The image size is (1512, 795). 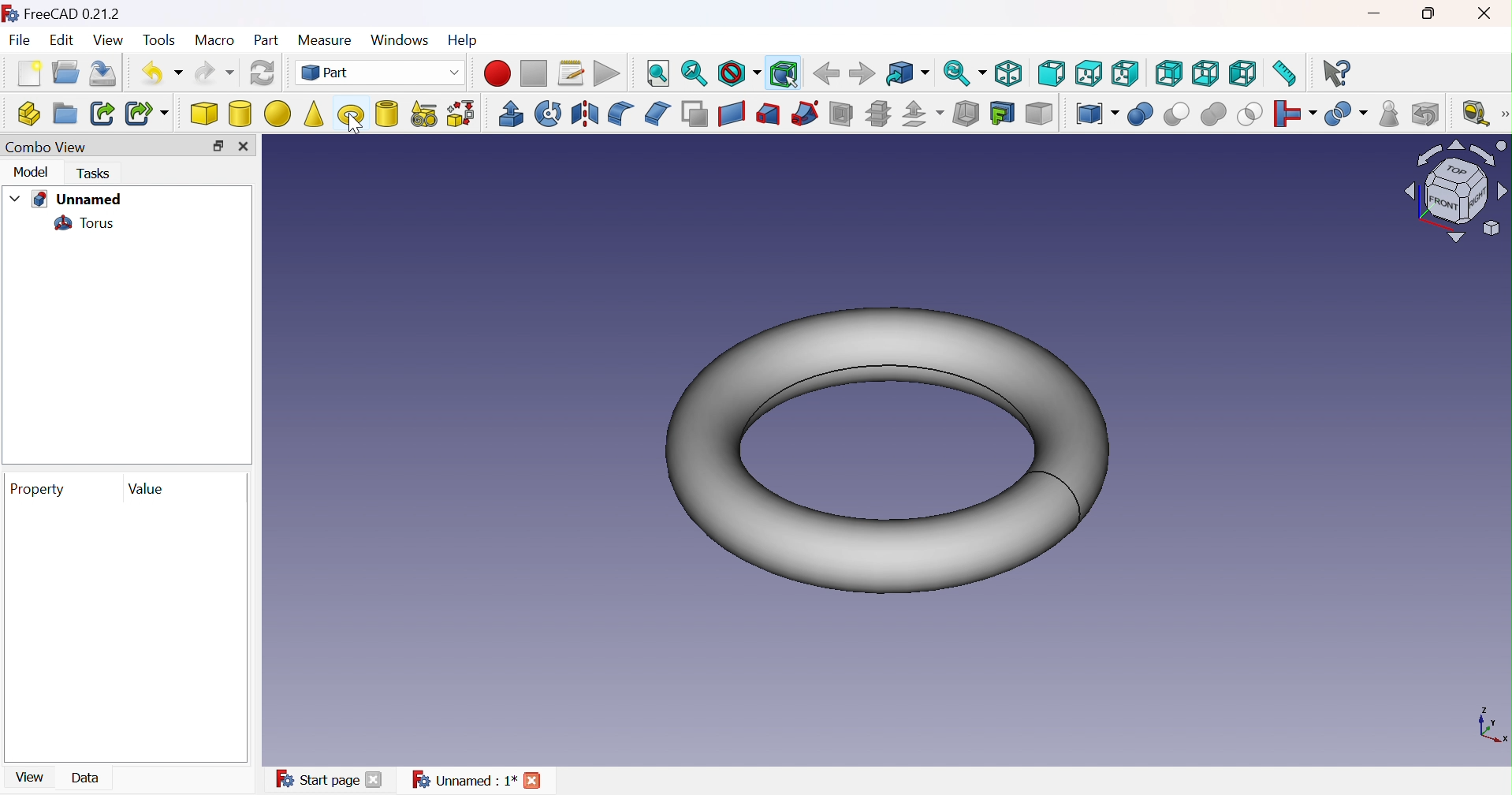 What do you see at coordinates (1097, 114) in the screenshot?
I see `Compound tools` at bounding box center [1097, 114].